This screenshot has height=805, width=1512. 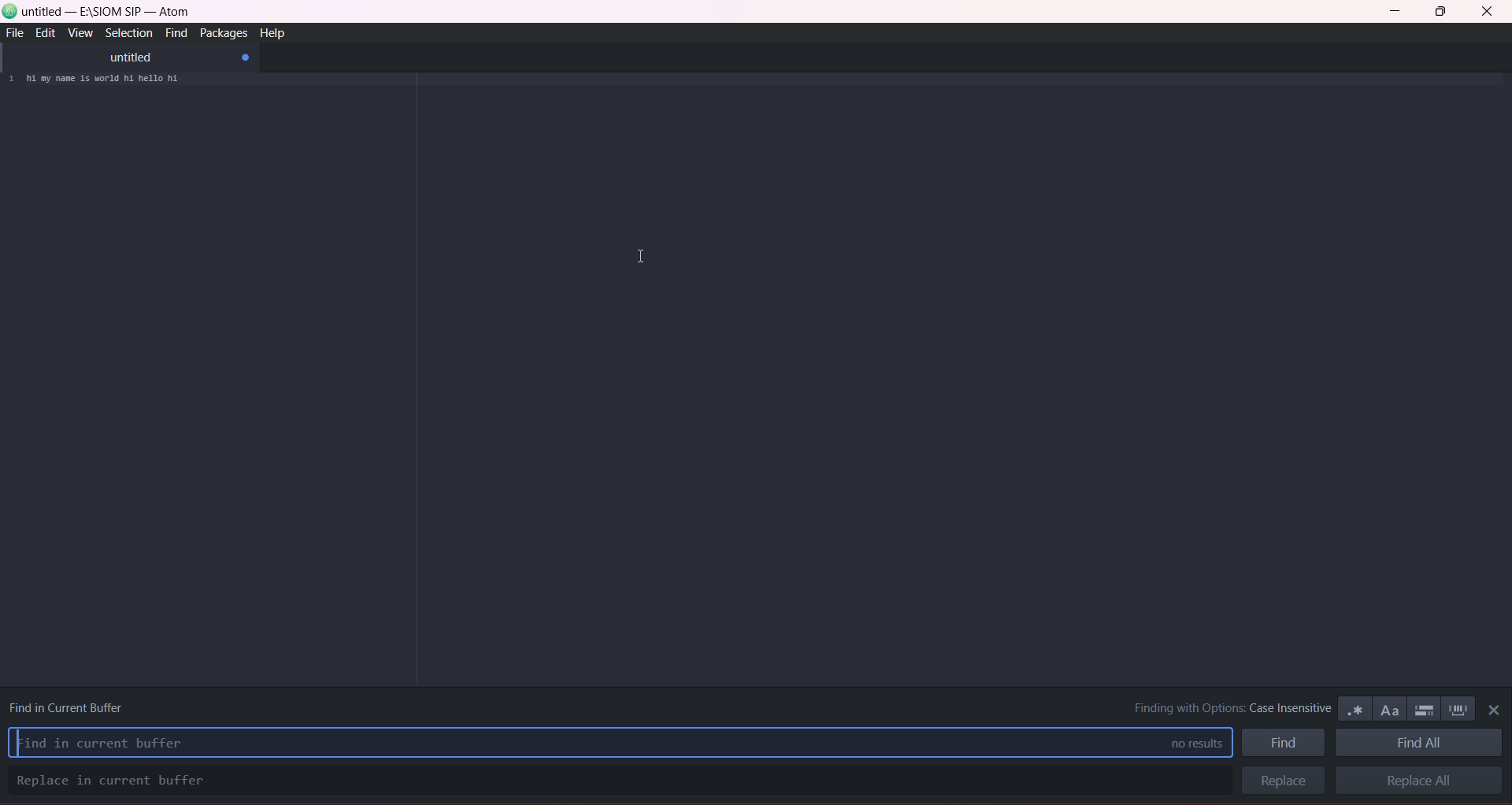 What do you see at coordinates (108, 13) in the screenshot?
I see `untitled-e:\siom sp-atom` at bounding box center [108, 13].